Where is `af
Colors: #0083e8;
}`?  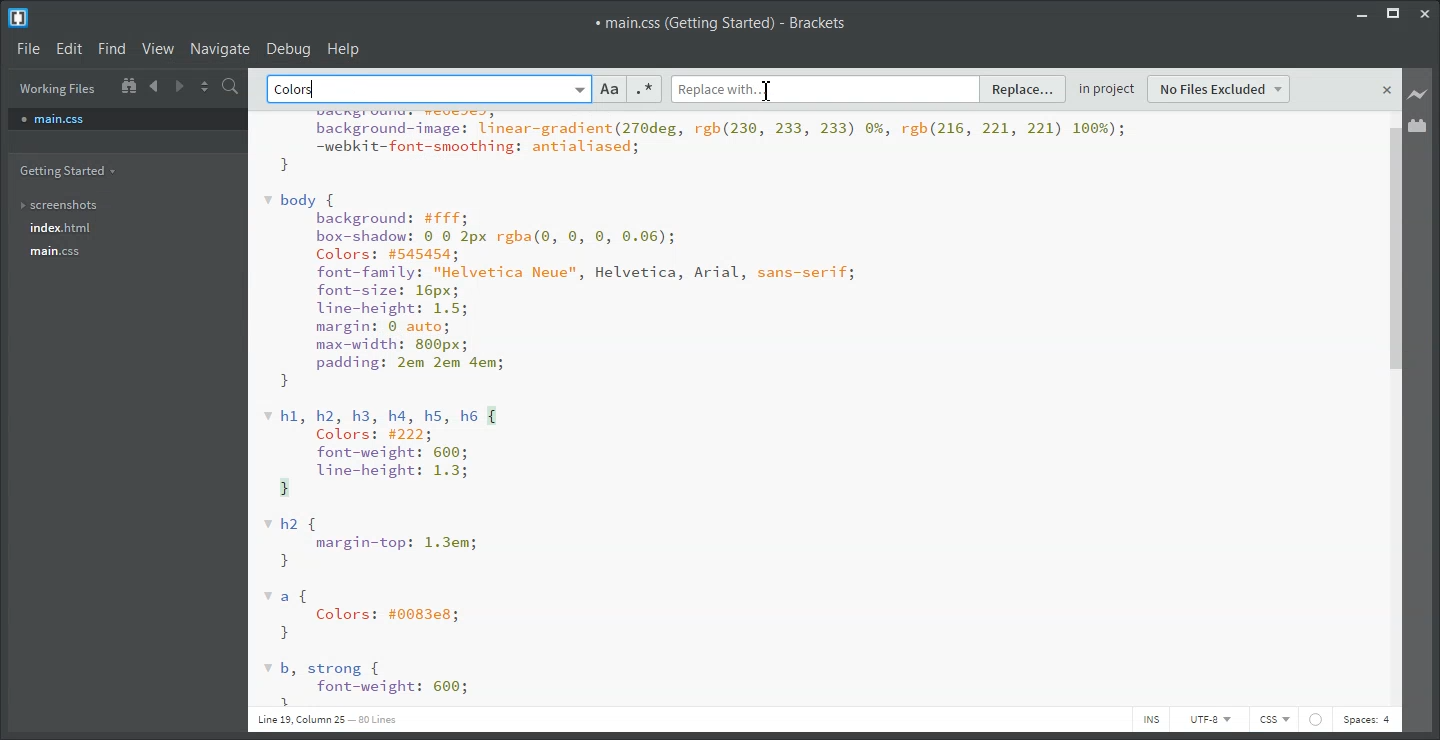 af
Colors: #0083e8;
} is located at coordinates (367, 615).